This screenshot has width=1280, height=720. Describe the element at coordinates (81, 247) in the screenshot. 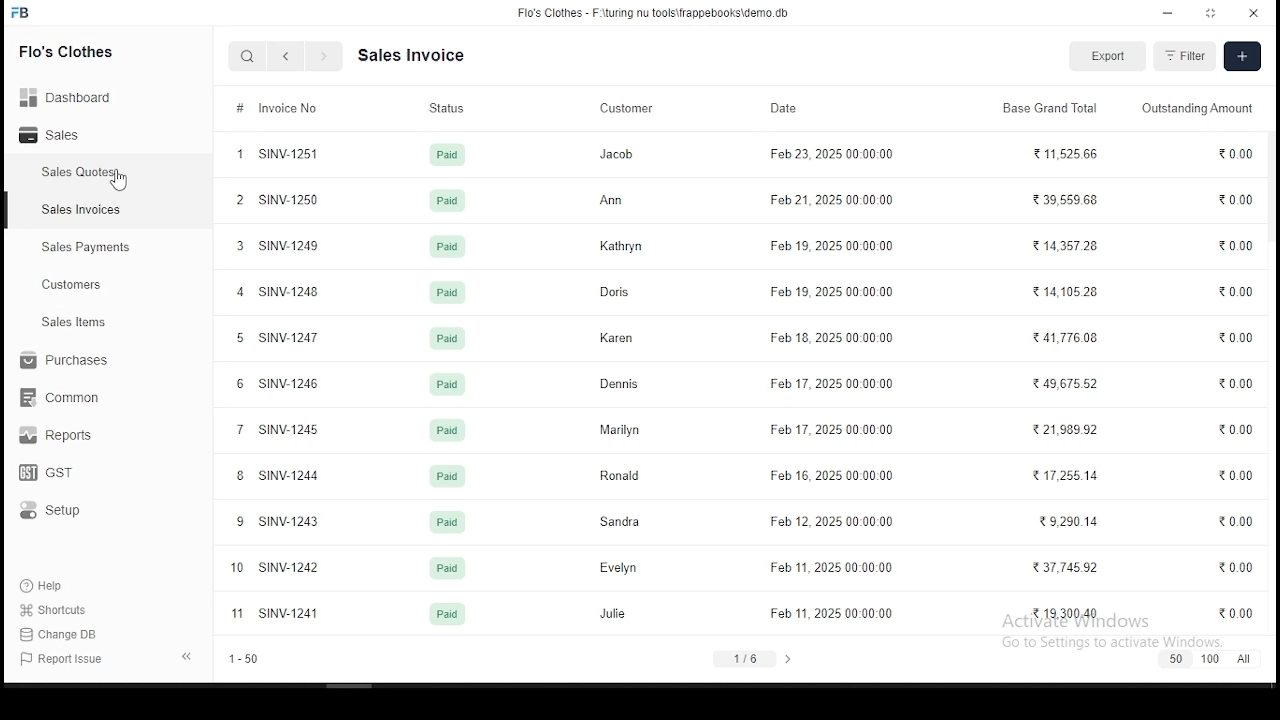

I see `sales payment` at that location.